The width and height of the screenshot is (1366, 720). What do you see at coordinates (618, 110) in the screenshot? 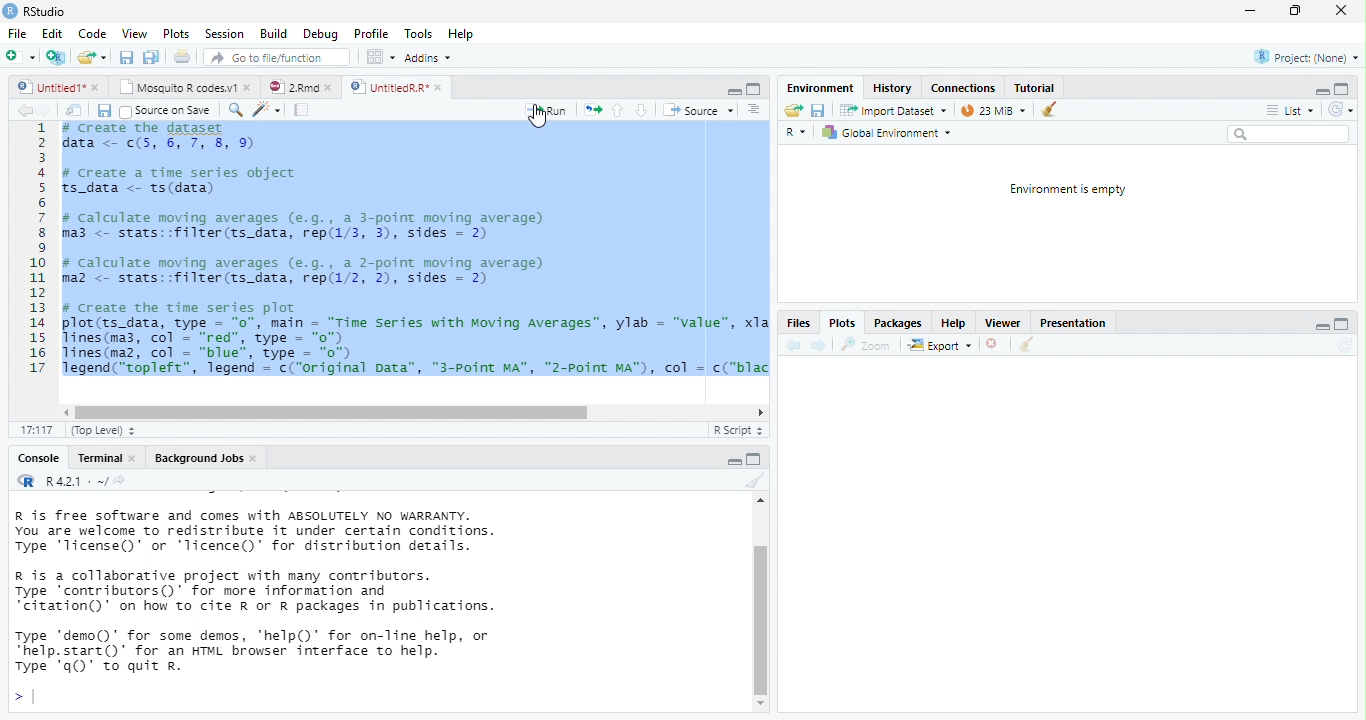
I see `up` at bounding box center [618, 110].